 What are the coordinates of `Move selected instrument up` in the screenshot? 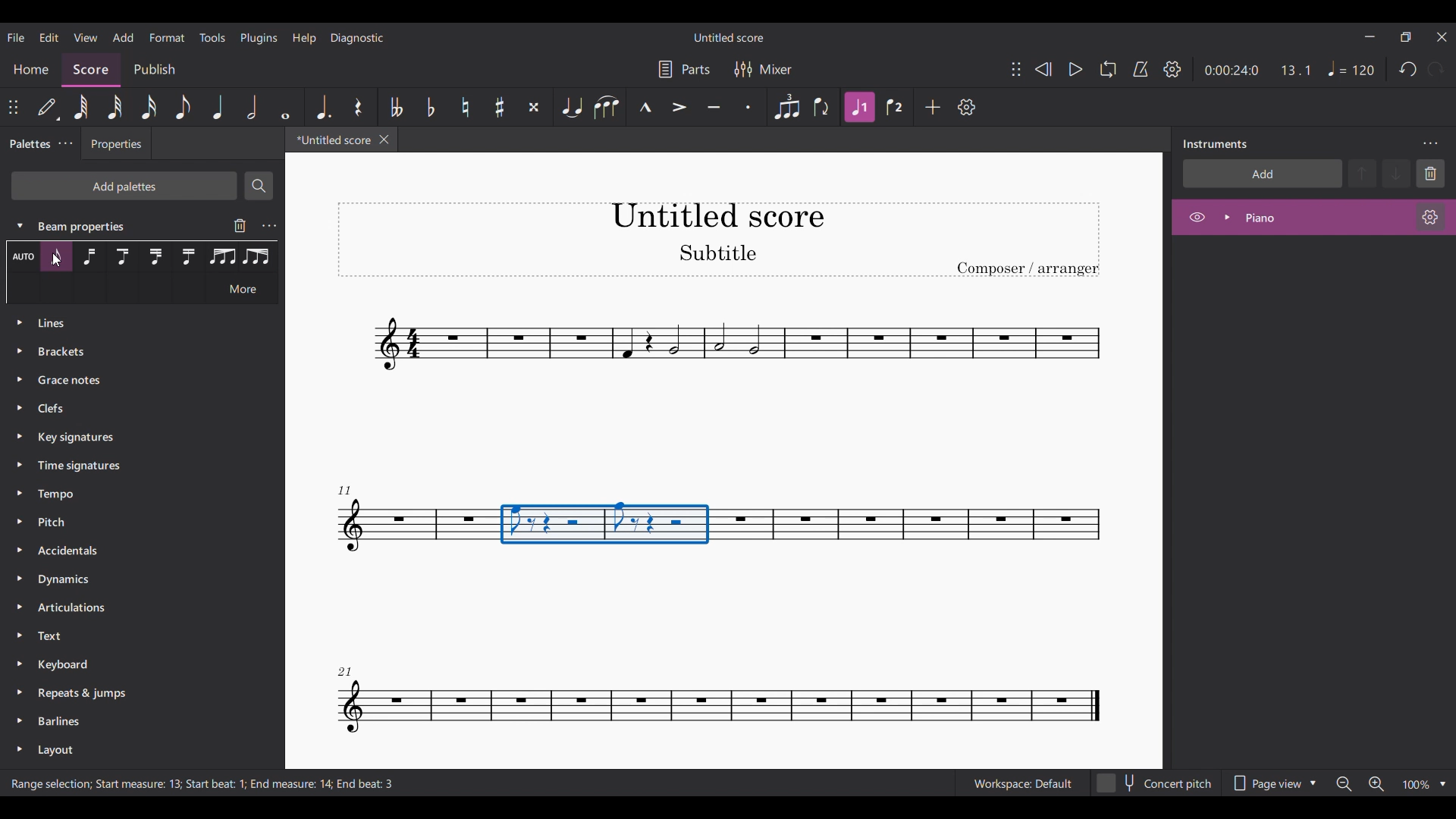 It's located at (1364, 172).